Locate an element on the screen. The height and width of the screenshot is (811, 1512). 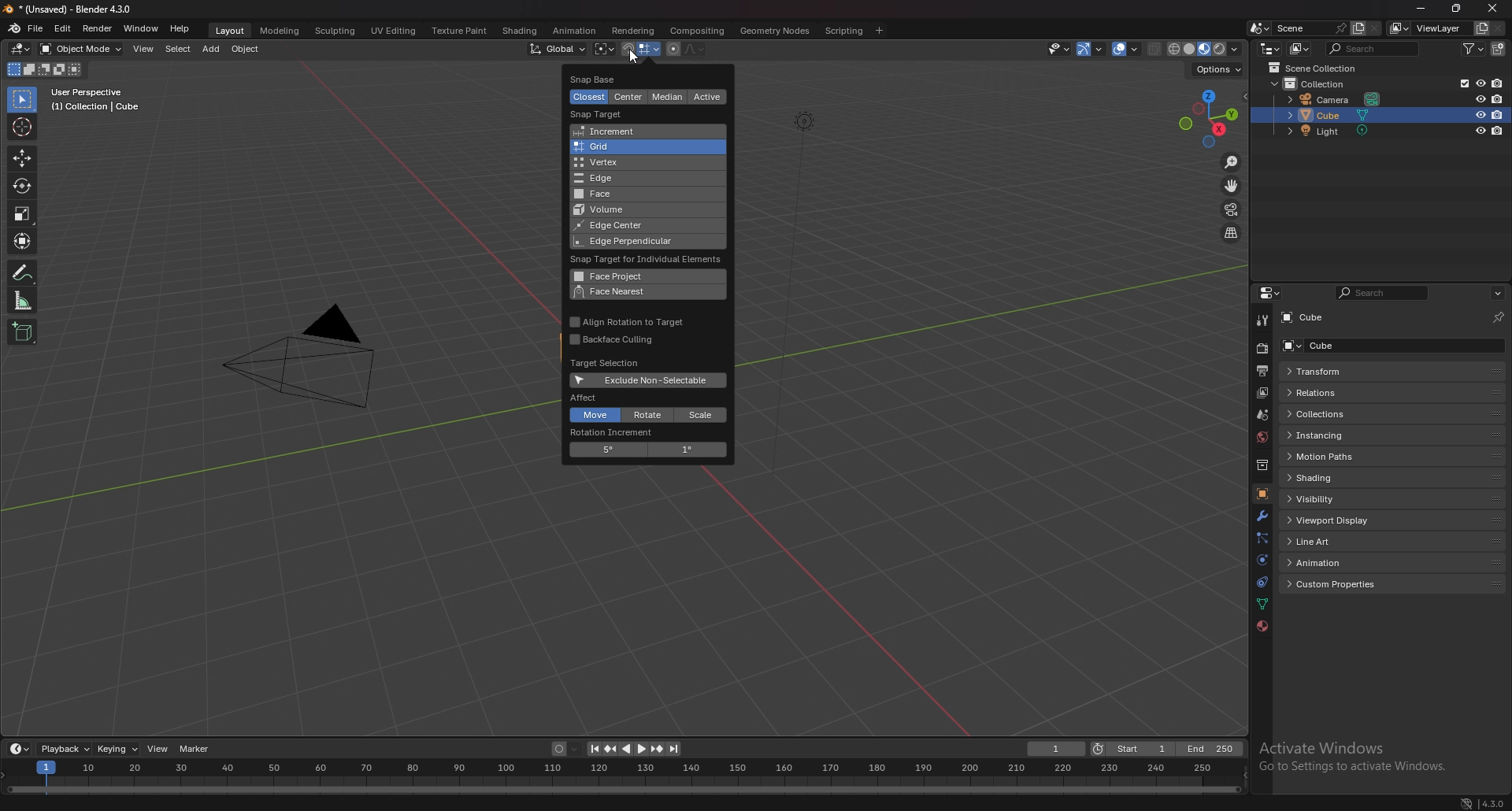
view layer is located at coordinates (1260, 394).